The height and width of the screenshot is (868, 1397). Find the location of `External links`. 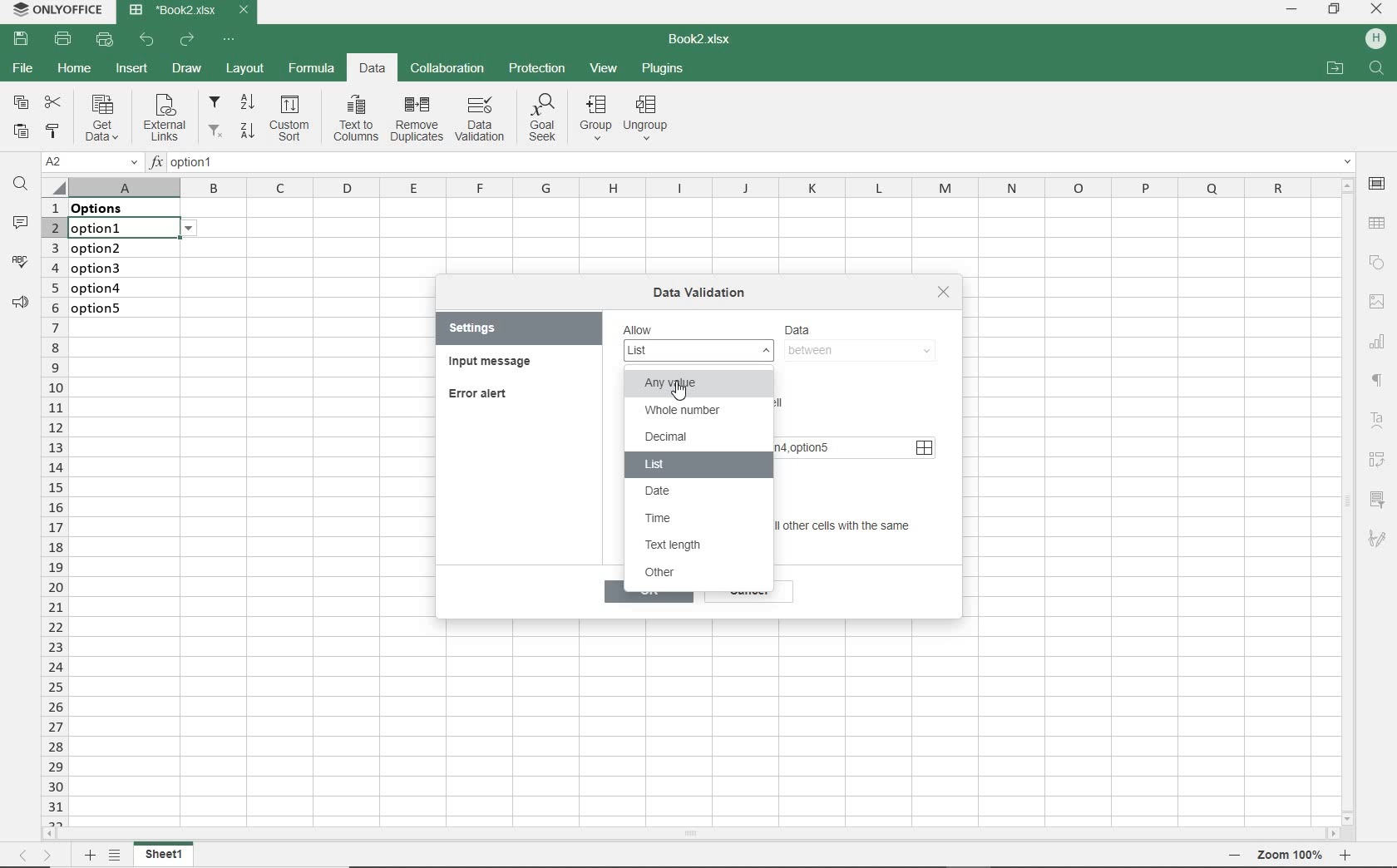

External links is located at coordinates (165, 119).